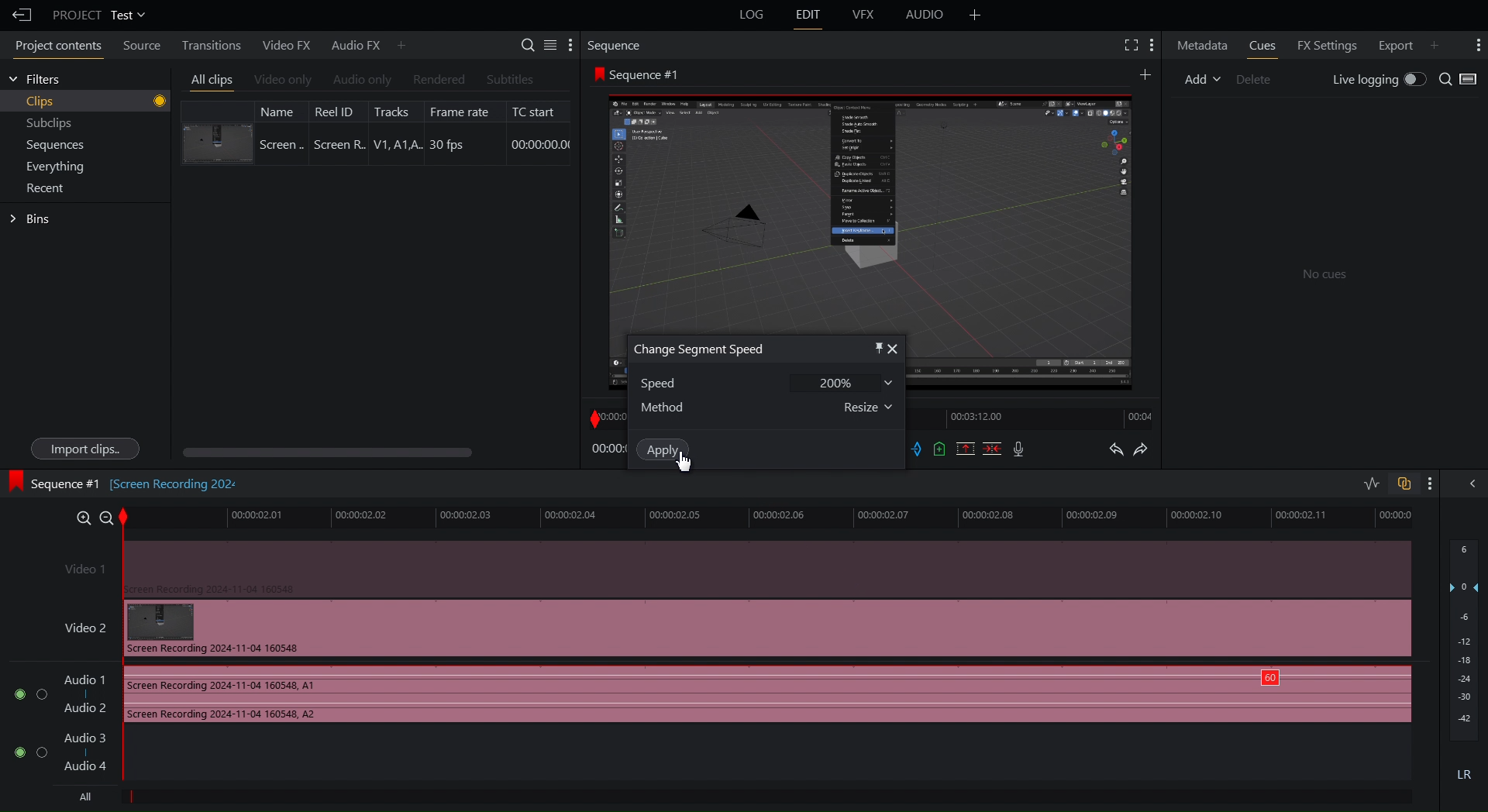  Describe the element at coordinates (866, 15) in the screenshot. I see `VFX` at that location.